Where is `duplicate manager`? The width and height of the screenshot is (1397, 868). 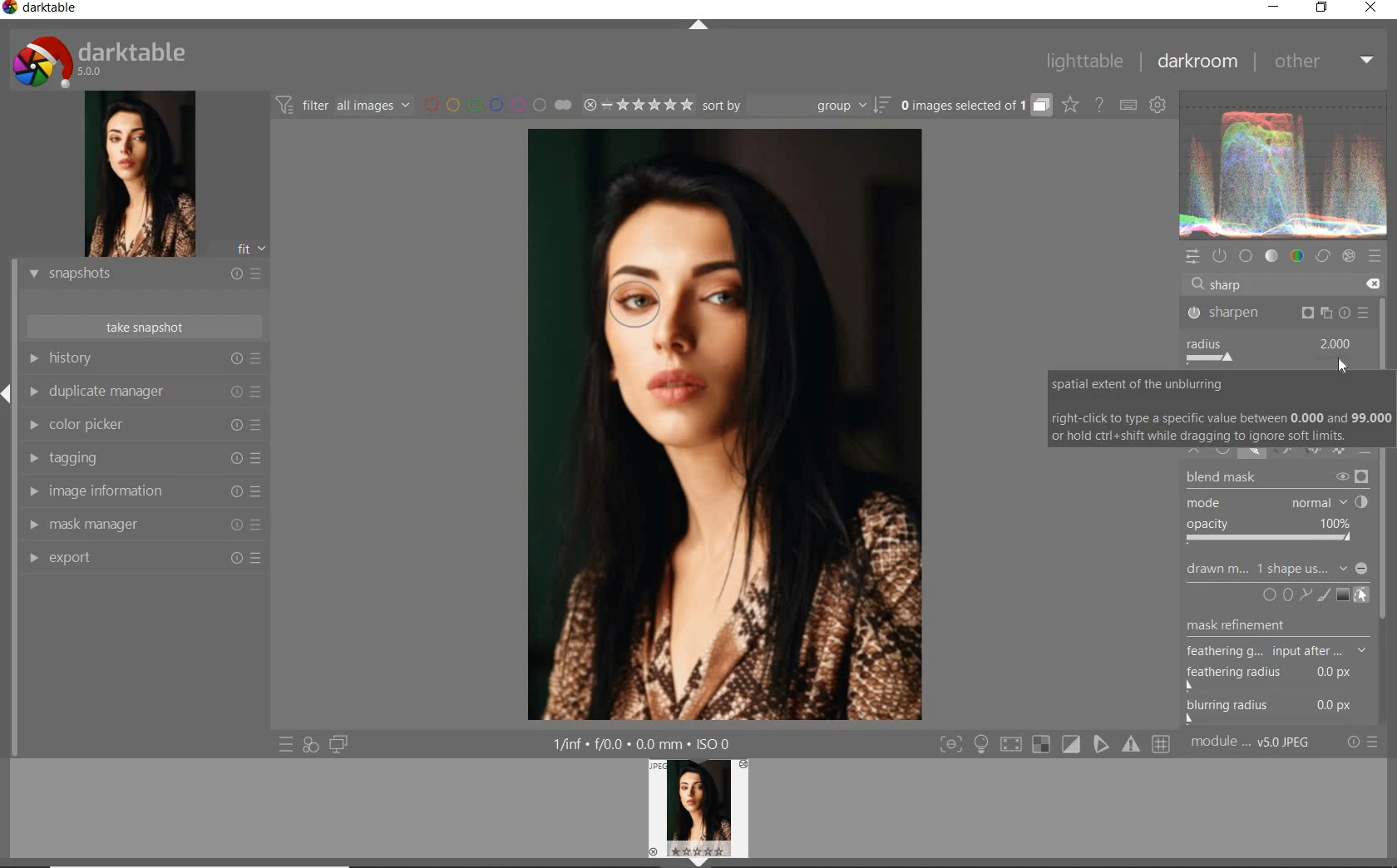
duplicate manager is located at coordinates (144, 390).